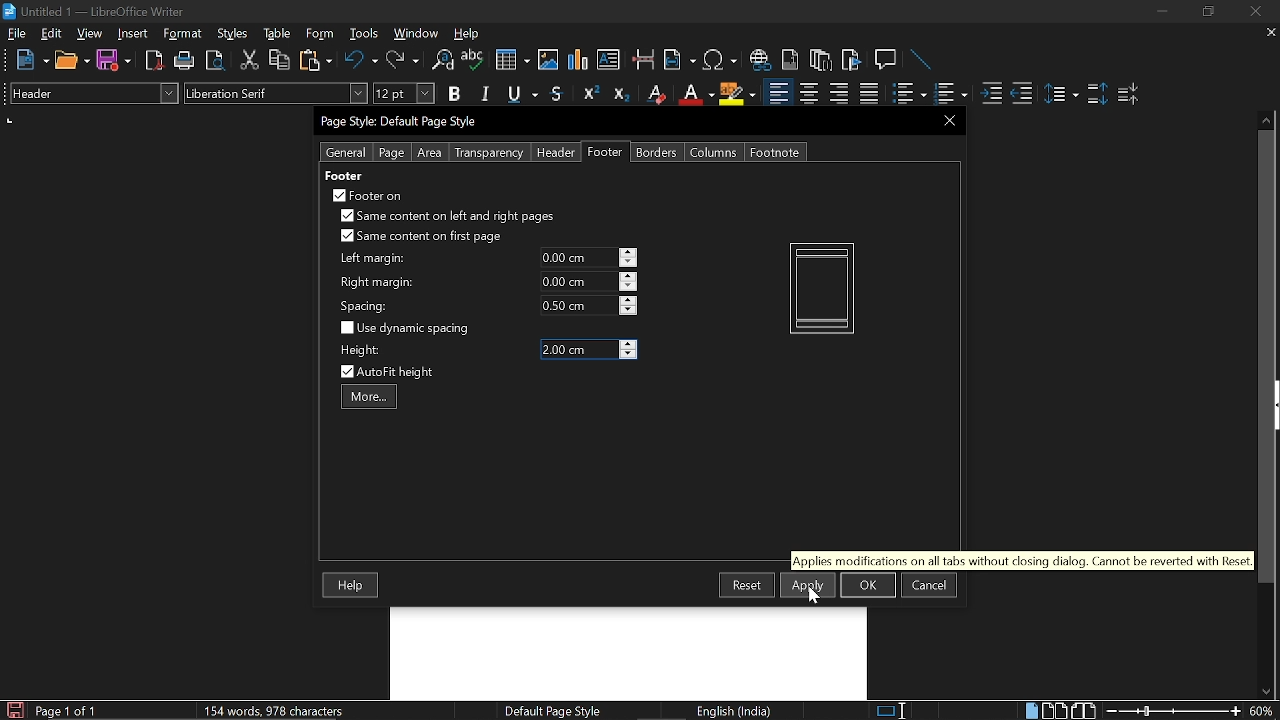 This screenshot has width=1280, height=720. Describe the element at coordinates (1130, 93) in the screenshot. I see `decrease paragraph spacing Decrease paragraph spacing` at that location.